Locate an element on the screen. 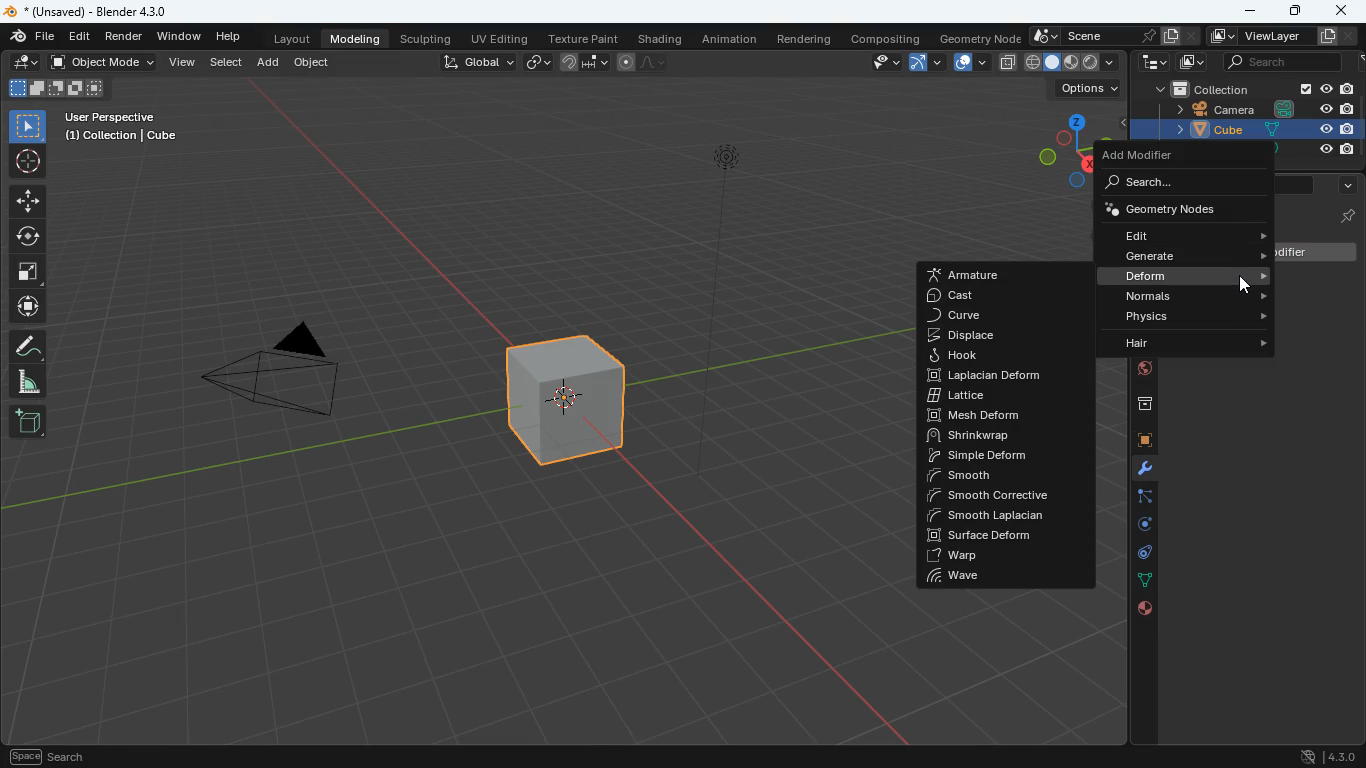 This screenshot has width=1366, height=768. laplacian deform is located at coordinates (1003, 376).